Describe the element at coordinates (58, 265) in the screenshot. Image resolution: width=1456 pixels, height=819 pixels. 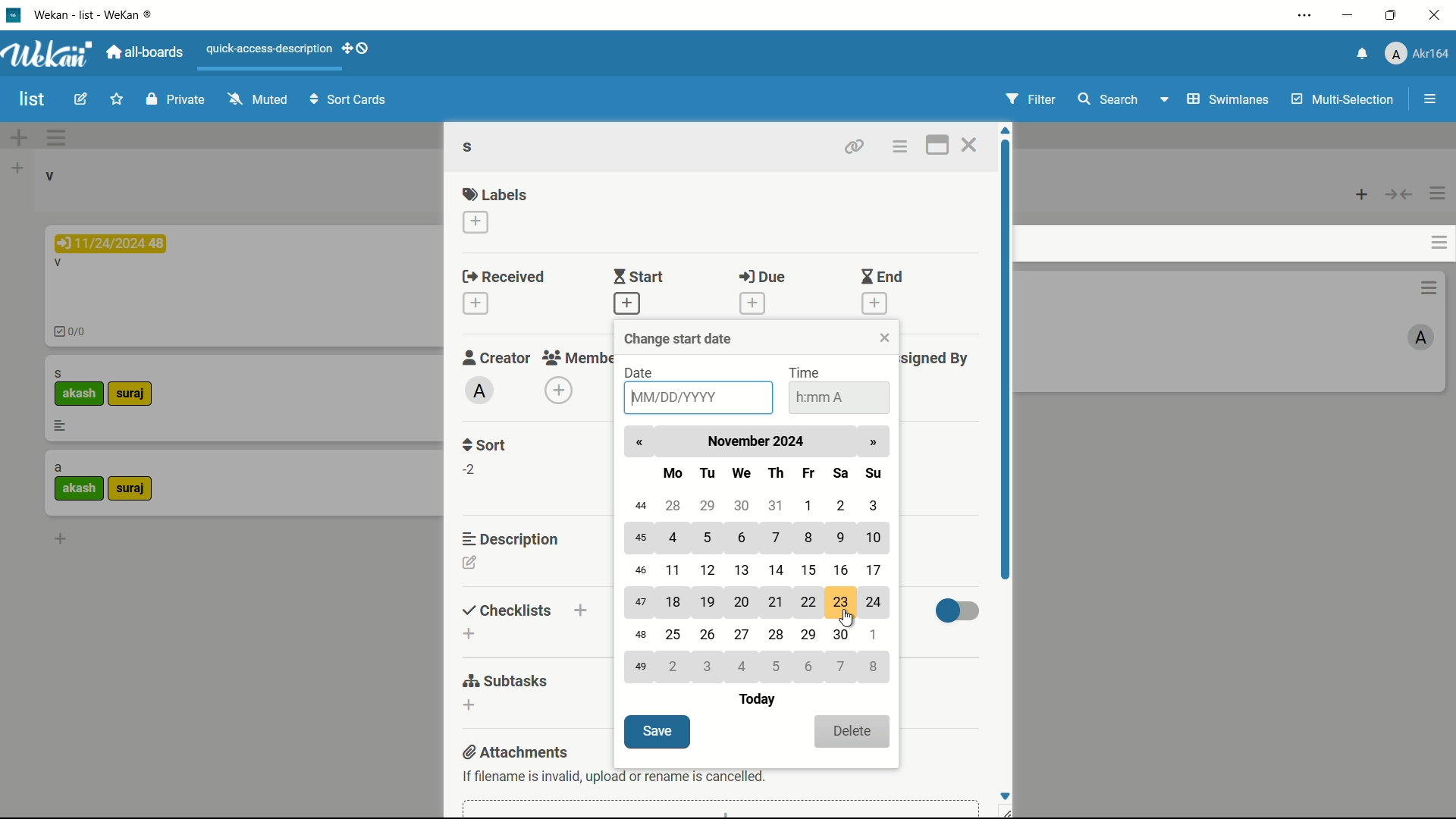
I see `card name` at that location.